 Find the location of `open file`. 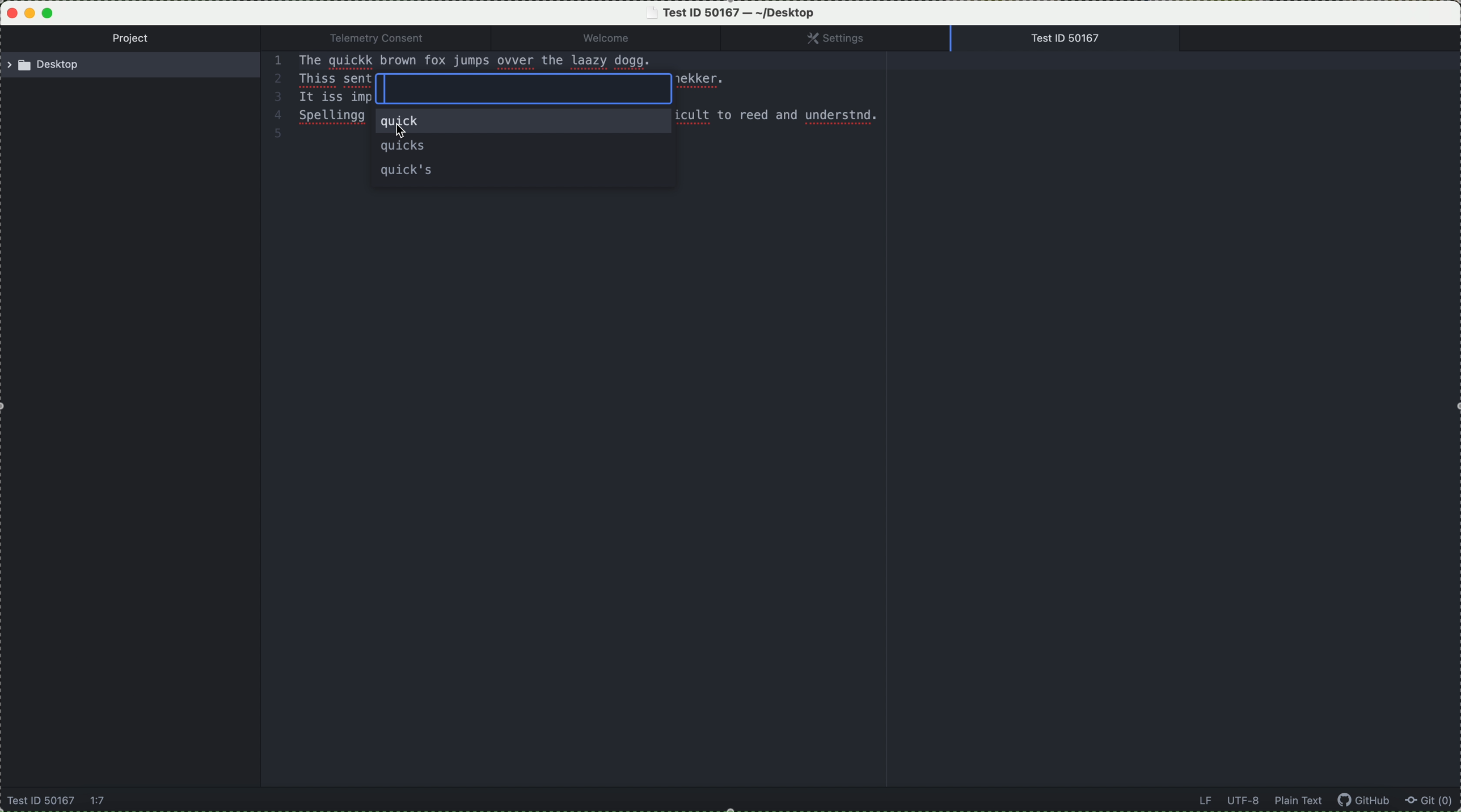

open file is located at coordinates (1070, 39).